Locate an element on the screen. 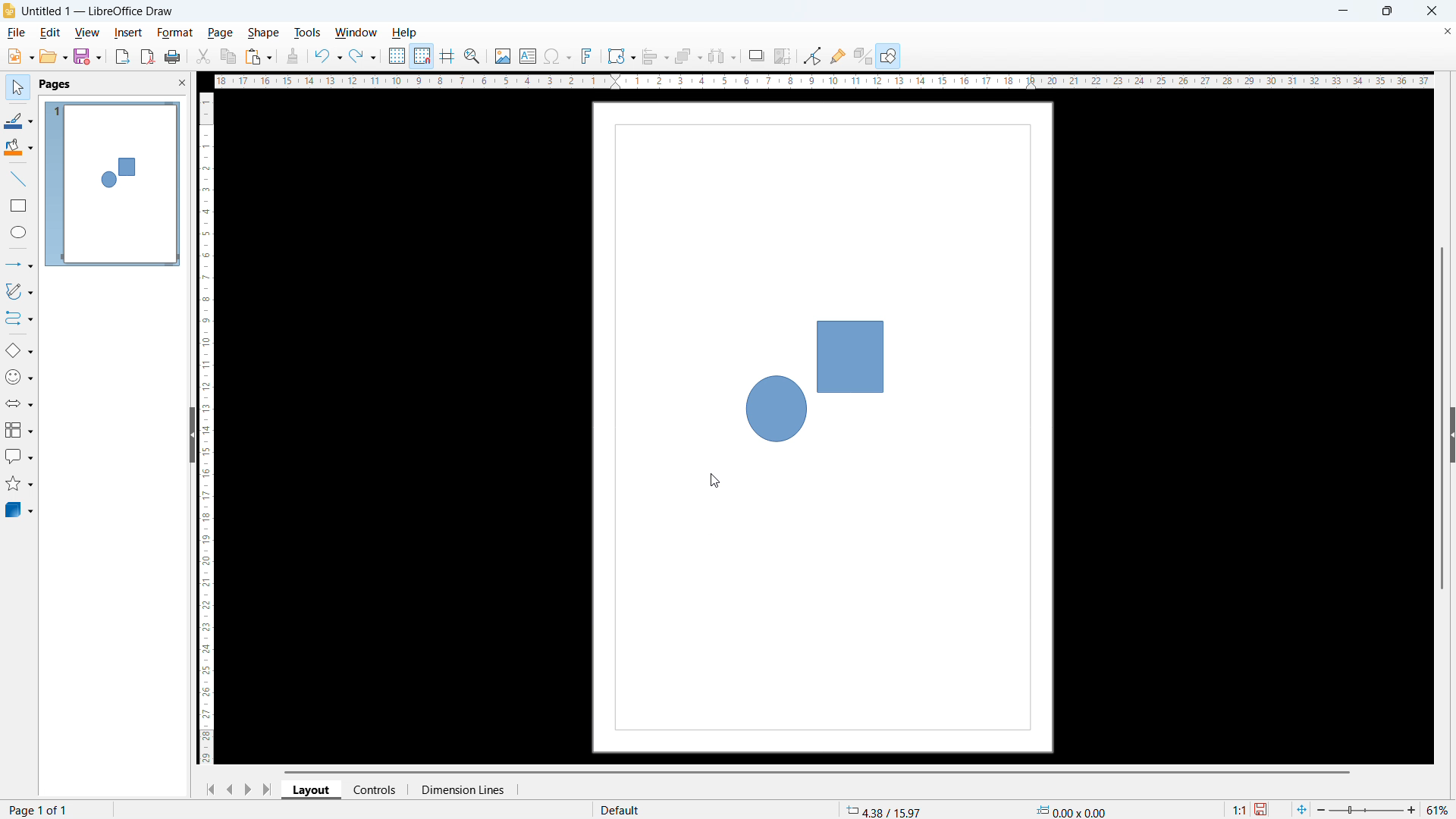  zoom slider is located at coordinates (1369, 810).